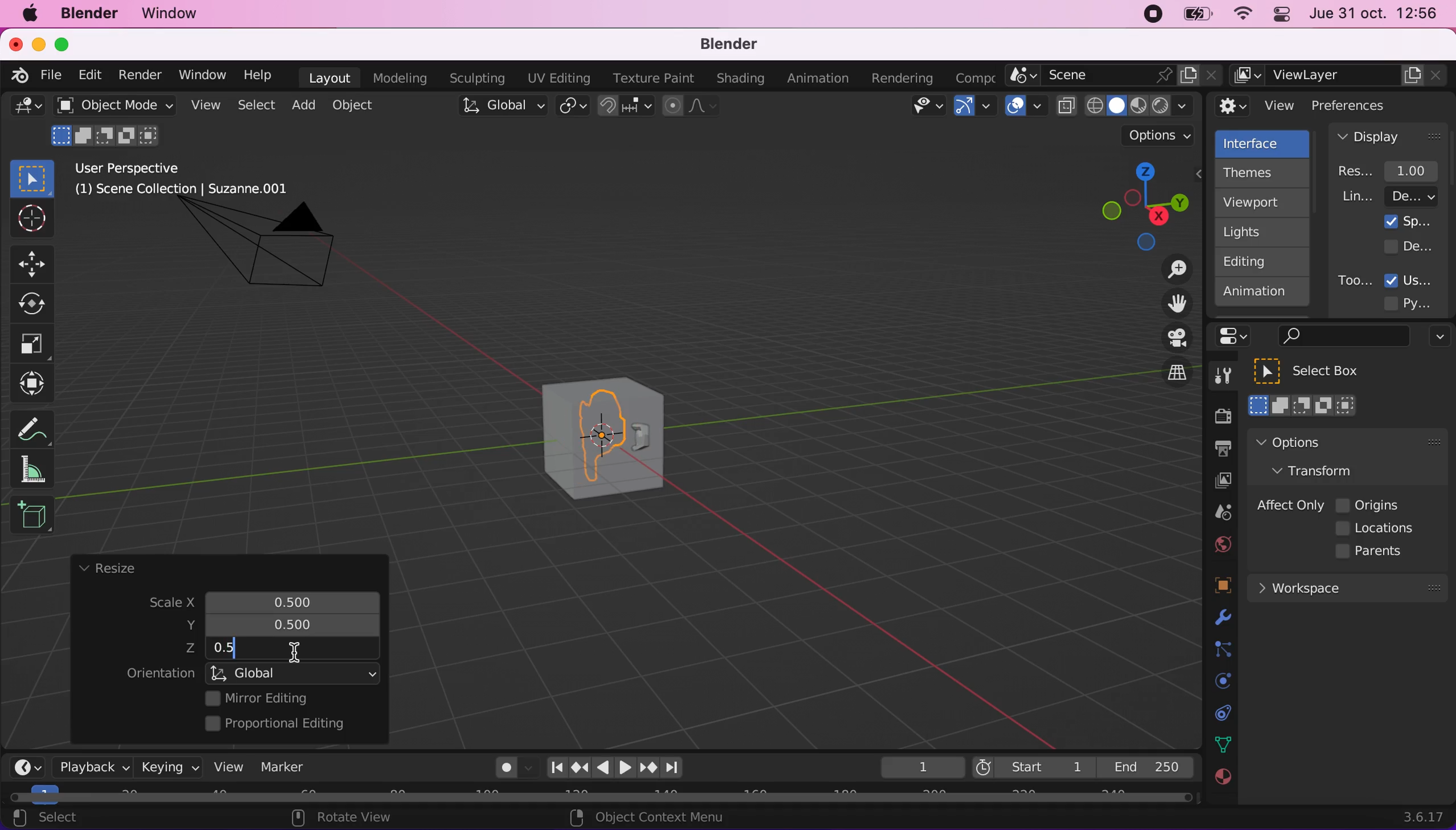 This screenshot has width=1456, height=830. I want to click on object context menu, so click(651, 817).